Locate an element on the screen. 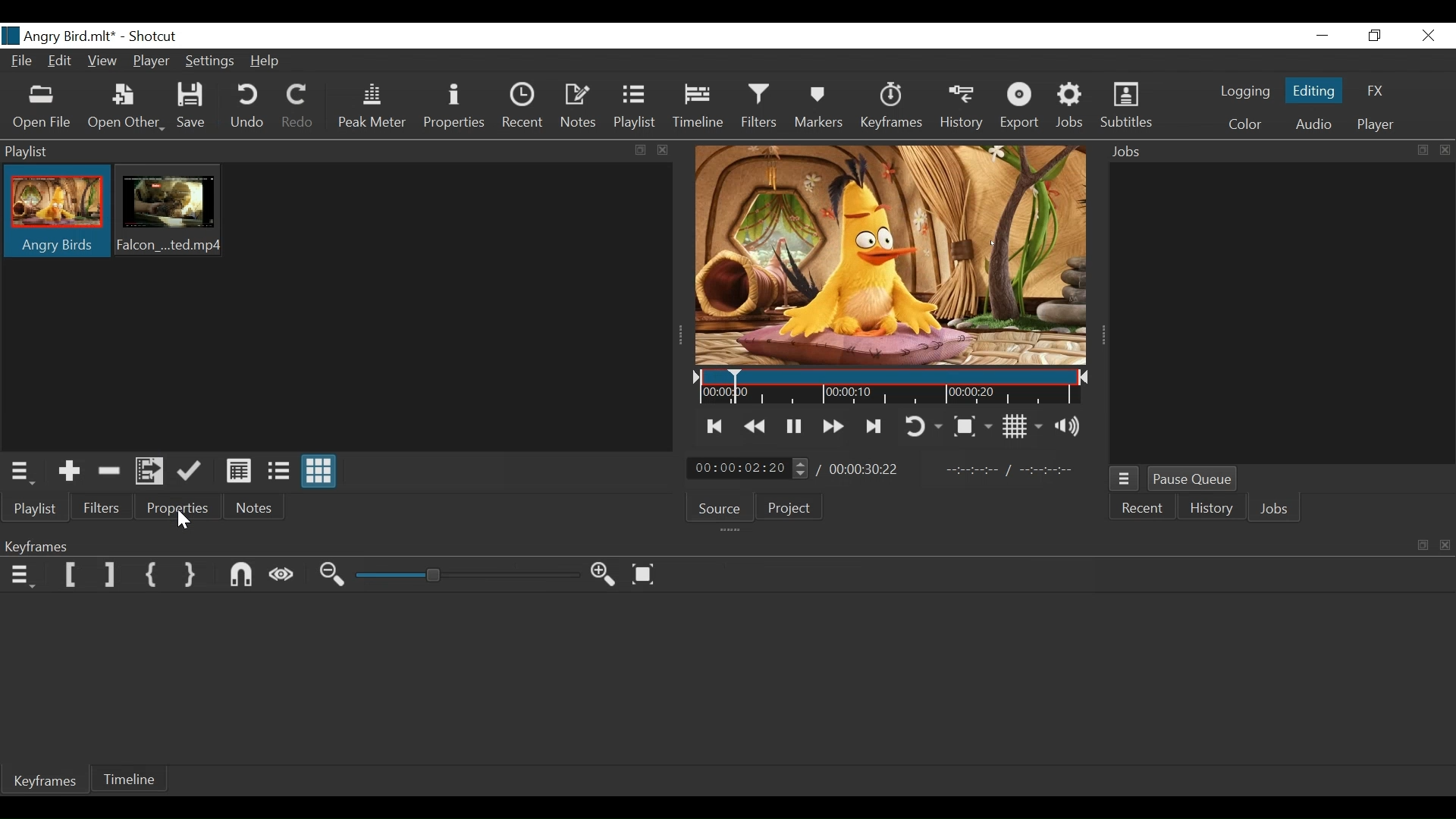 The height and width of the screenshot is (819, 1456). Player is located at coordinates (1376, 124).